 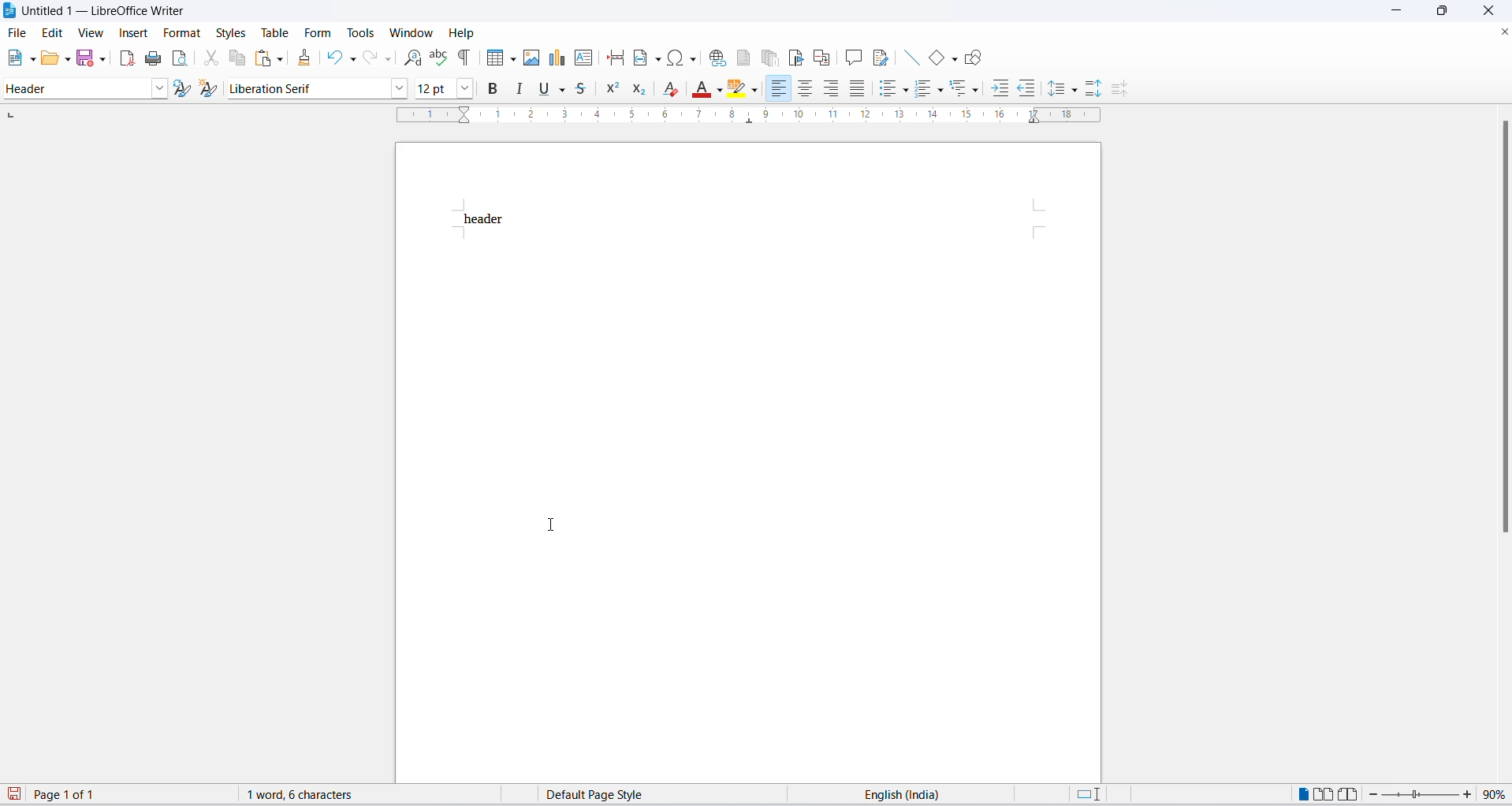 What do you see at coordinates (435, 88) in the screenshot?
I see `font size` at bounding box center [435, 88].